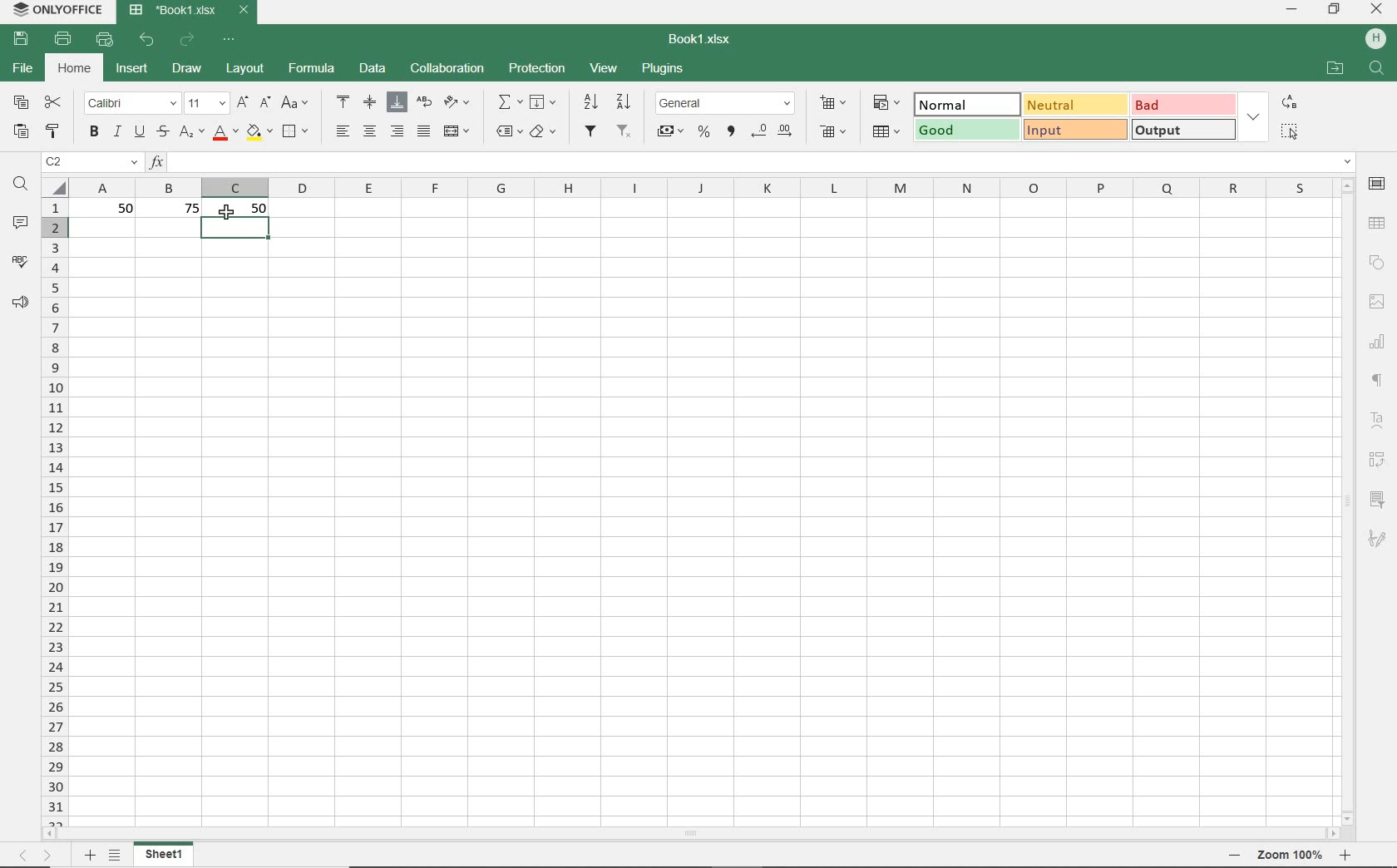  Describe the element at coordinates (1293, 11) in the screenshot. I see `minimize` at that location.